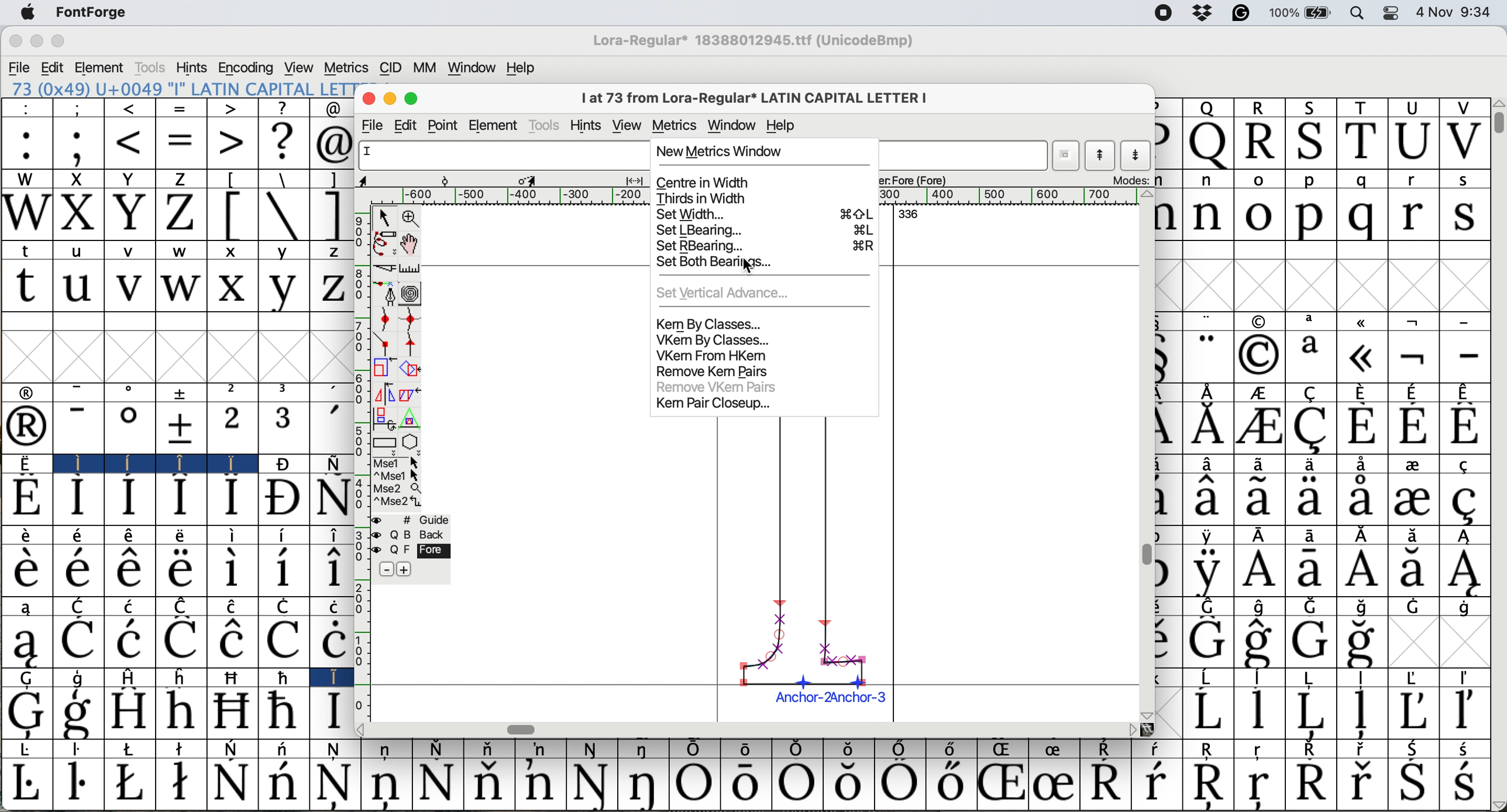  Describe the element at coordinates (1464, 142) in the screenshot. I see `V` at that location.